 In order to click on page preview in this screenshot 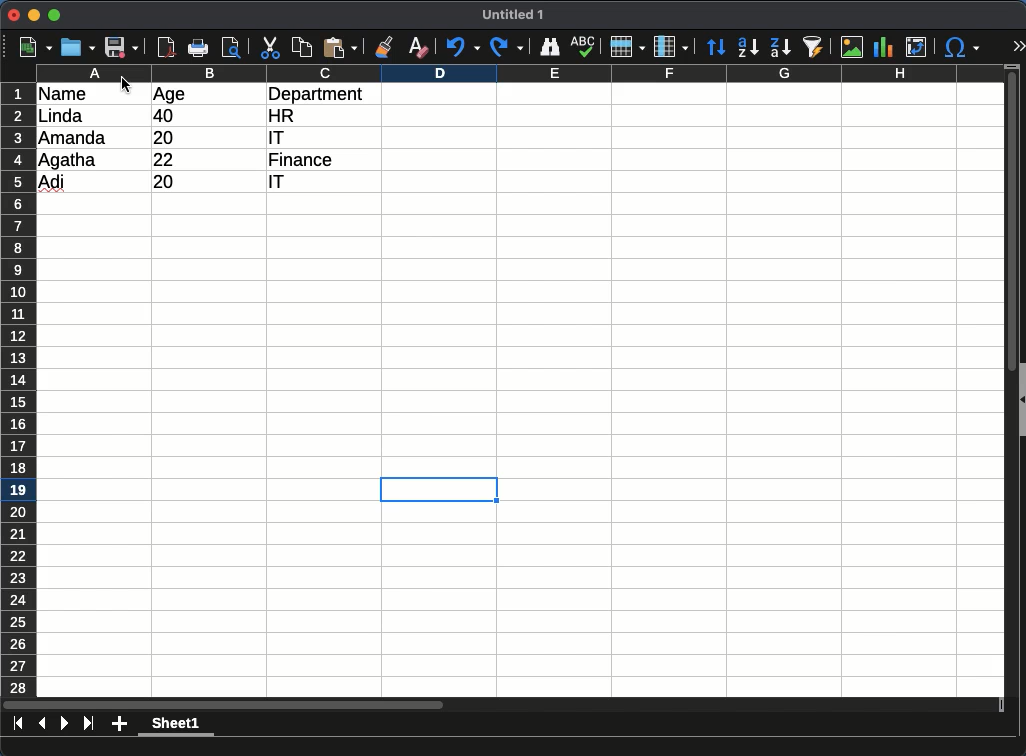, I will do `click(235, 47)`.